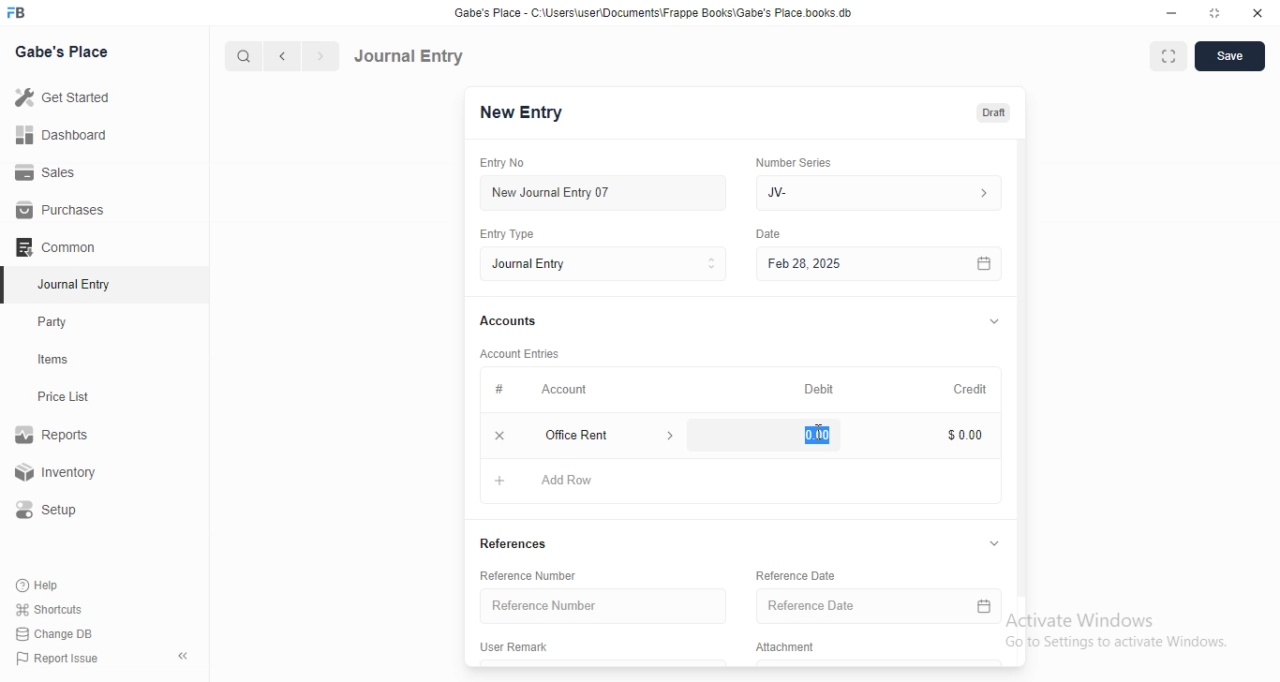  Describe the element at coordinates (509, 234) in the screenshot. I see `Entry Type` at that location.